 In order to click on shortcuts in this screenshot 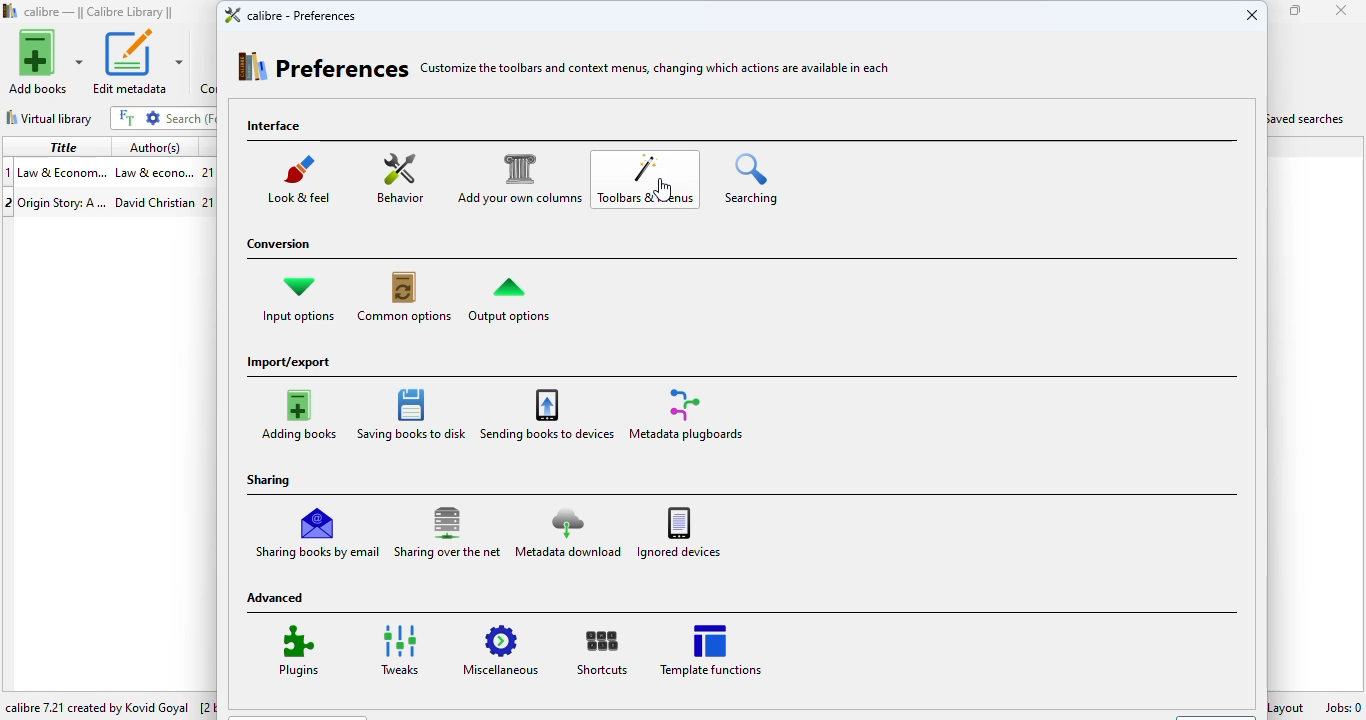, I will do `click(598, 650)`.